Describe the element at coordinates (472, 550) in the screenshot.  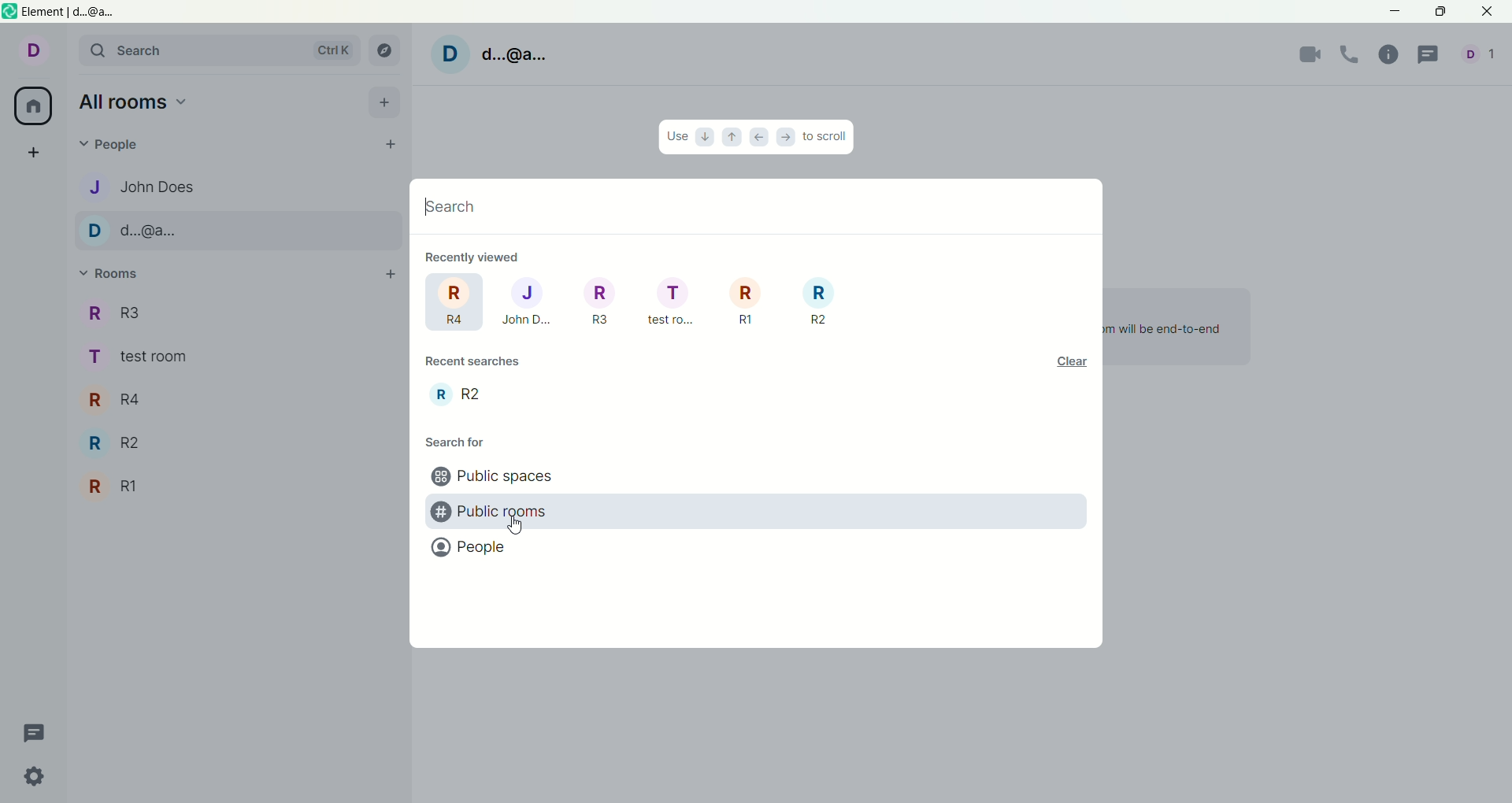
I see `people` at that location.